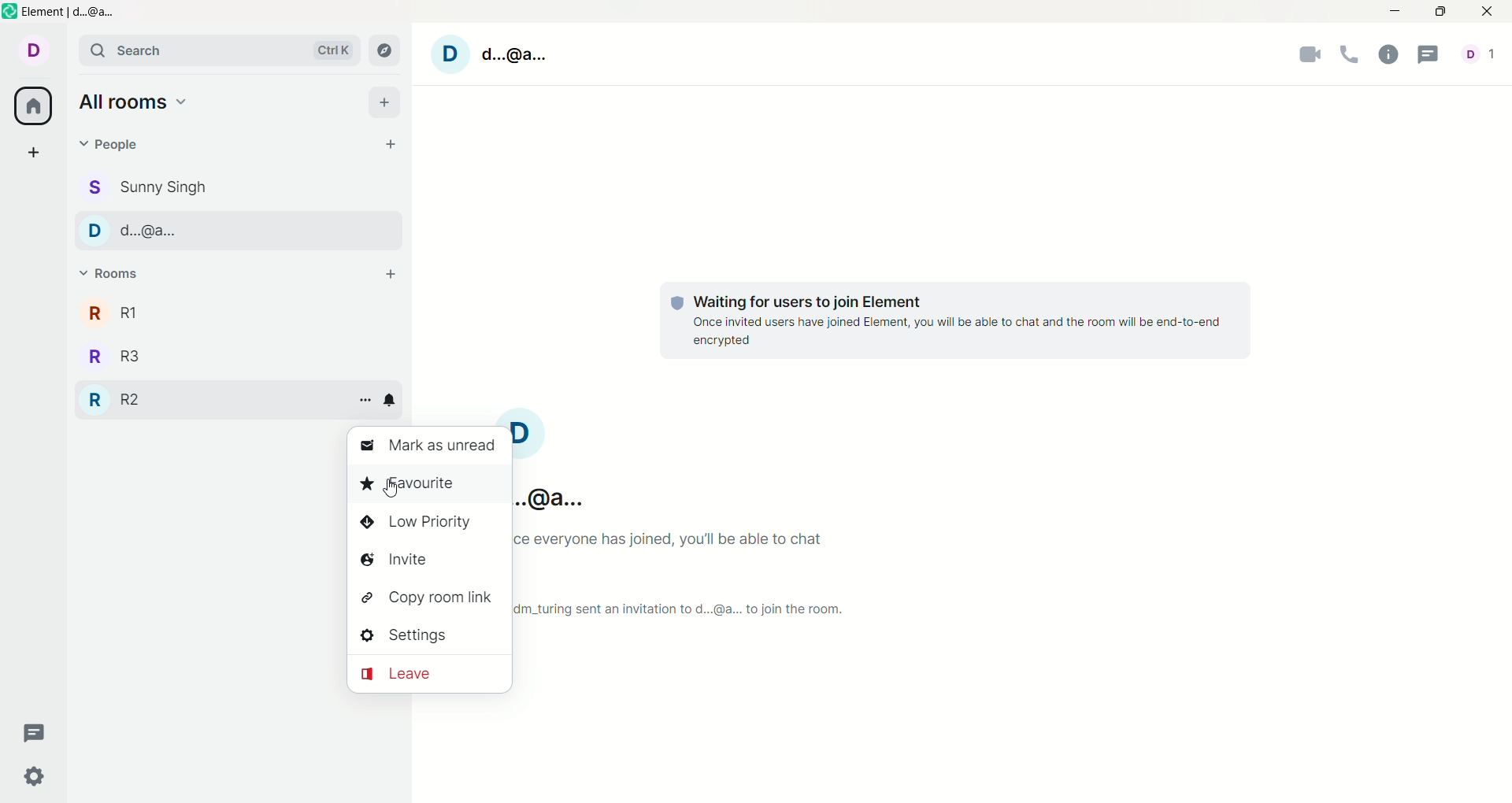 This screenshot has width=1512, height=803. I want to click on R2 room, so click(114, 402).